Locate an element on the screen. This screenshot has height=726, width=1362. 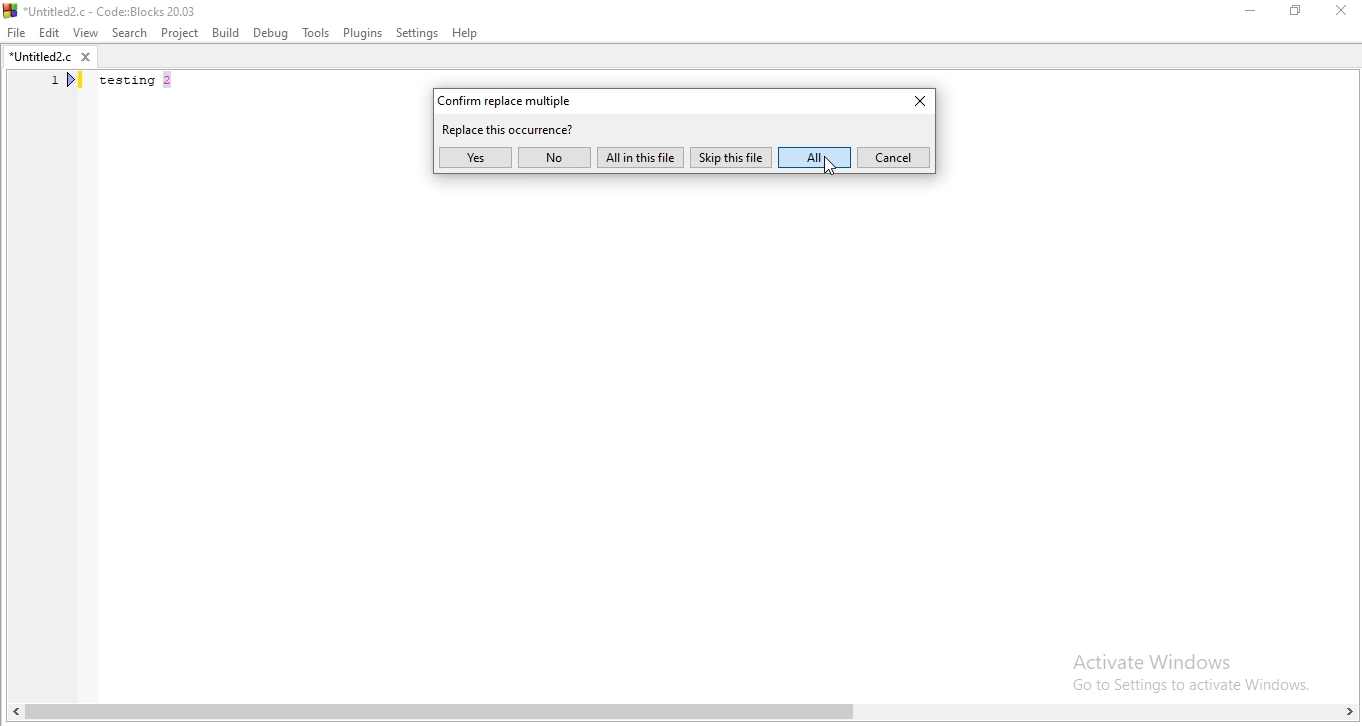
Minimise is located at coordinates (1250, 14).